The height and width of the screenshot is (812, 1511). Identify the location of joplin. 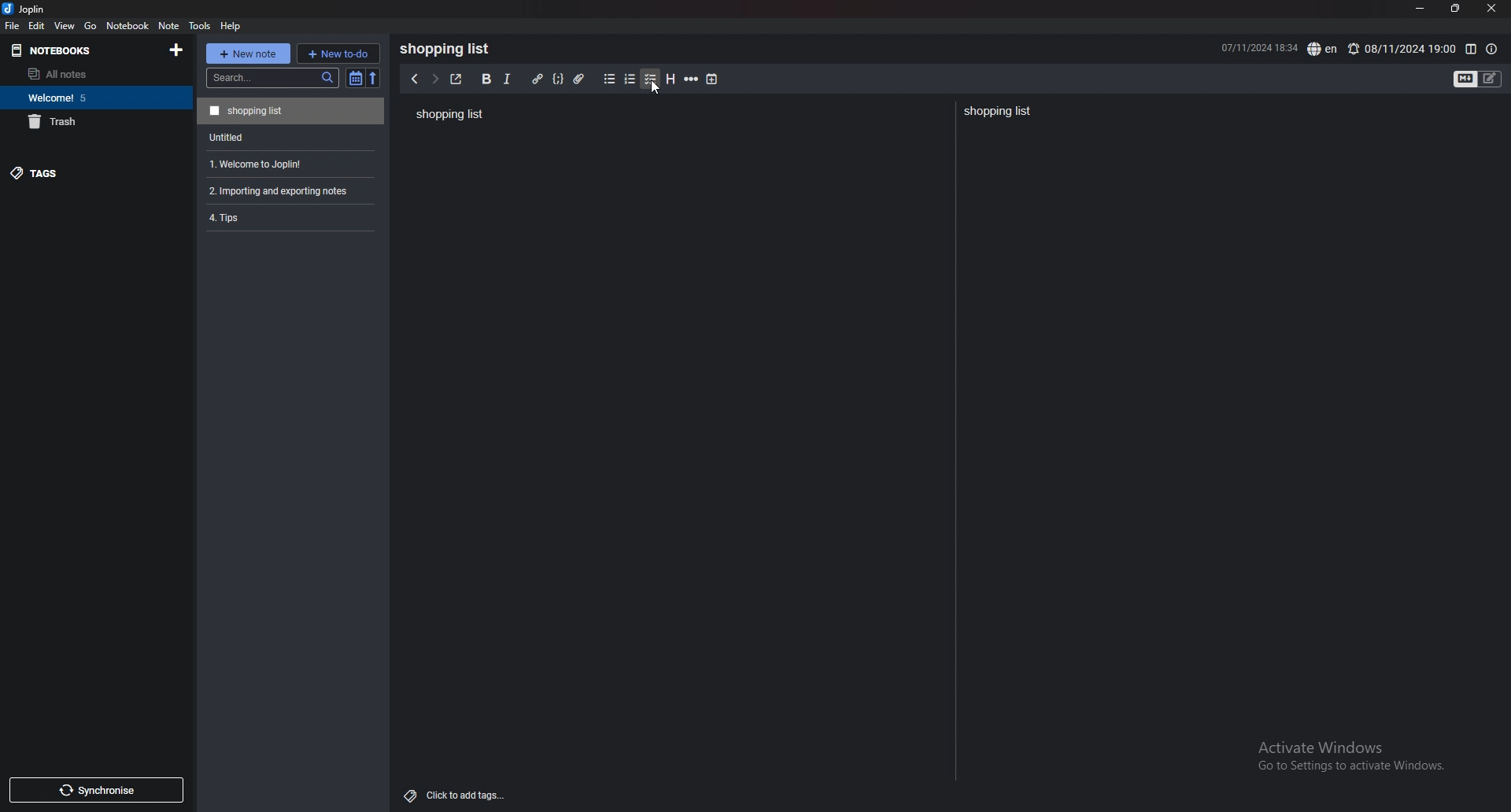
(27, 9).